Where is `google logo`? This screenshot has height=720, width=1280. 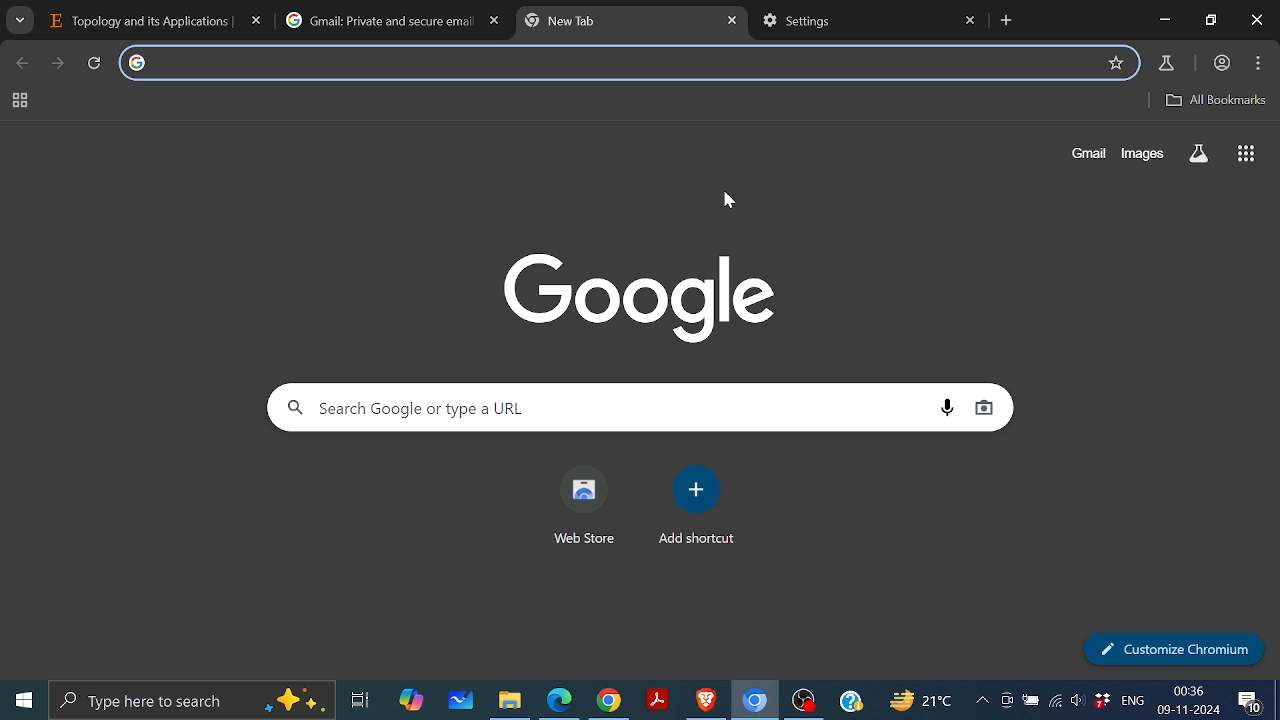
google logo is located at coordinates (138, 61).